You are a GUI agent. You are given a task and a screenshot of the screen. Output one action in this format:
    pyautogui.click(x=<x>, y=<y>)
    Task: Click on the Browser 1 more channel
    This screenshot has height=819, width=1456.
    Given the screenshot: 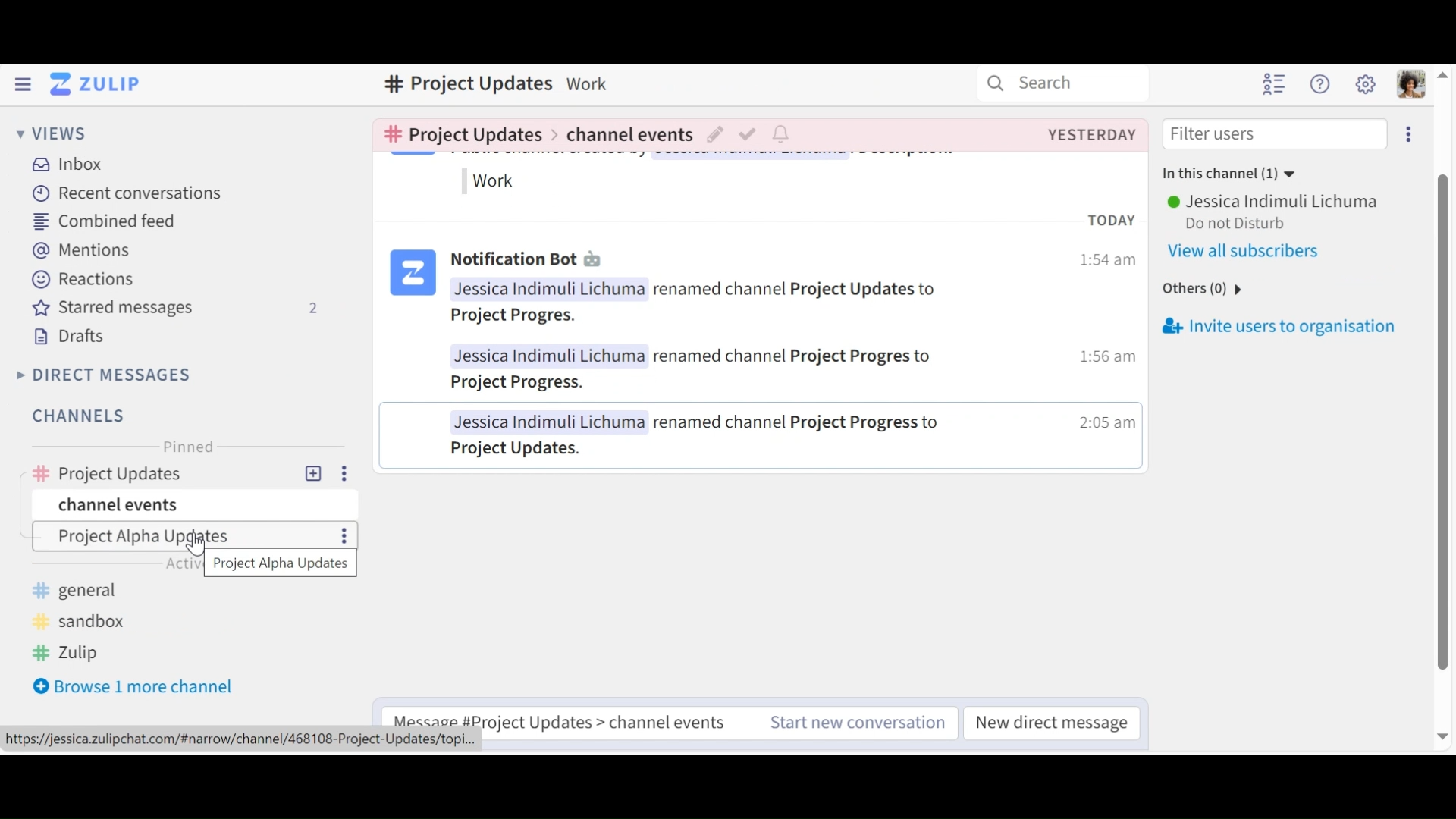 What is the action you would take?
    pyautogui.click(x=133, y=686)
    